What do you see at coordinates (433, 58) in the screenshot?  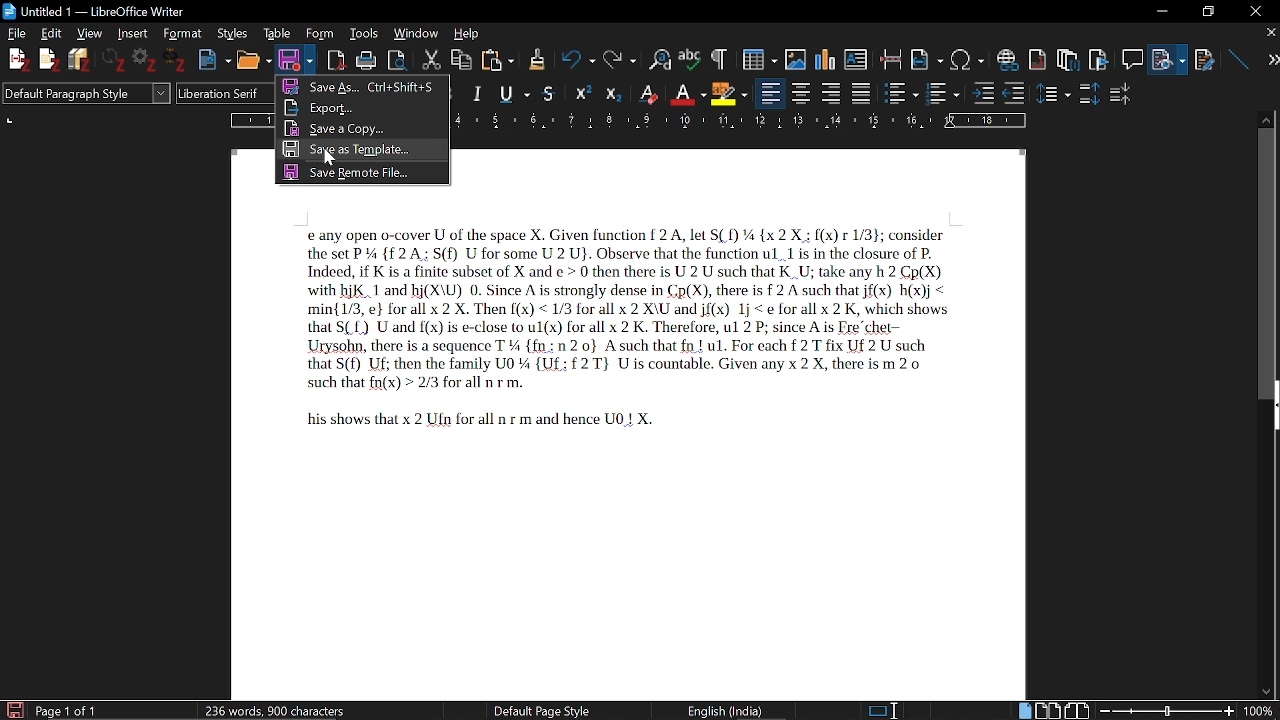 I see `Cut` at bounding box center [433, 58].